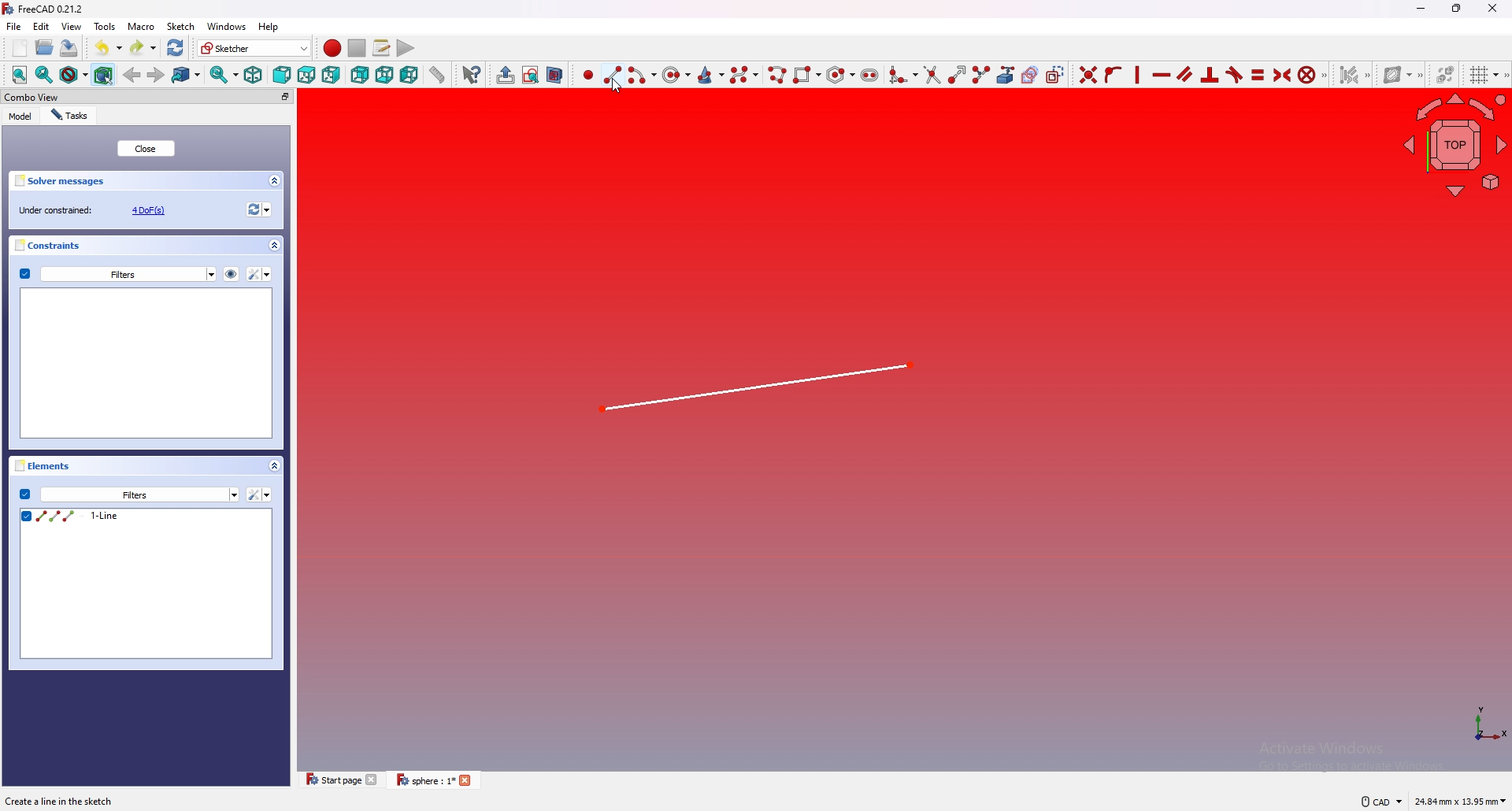 Image resolution: width=1512 pixels, height=811 pixels. Describe the element at coordinates (329, 48) in the screenshot. I see `Macro recording` at that location.